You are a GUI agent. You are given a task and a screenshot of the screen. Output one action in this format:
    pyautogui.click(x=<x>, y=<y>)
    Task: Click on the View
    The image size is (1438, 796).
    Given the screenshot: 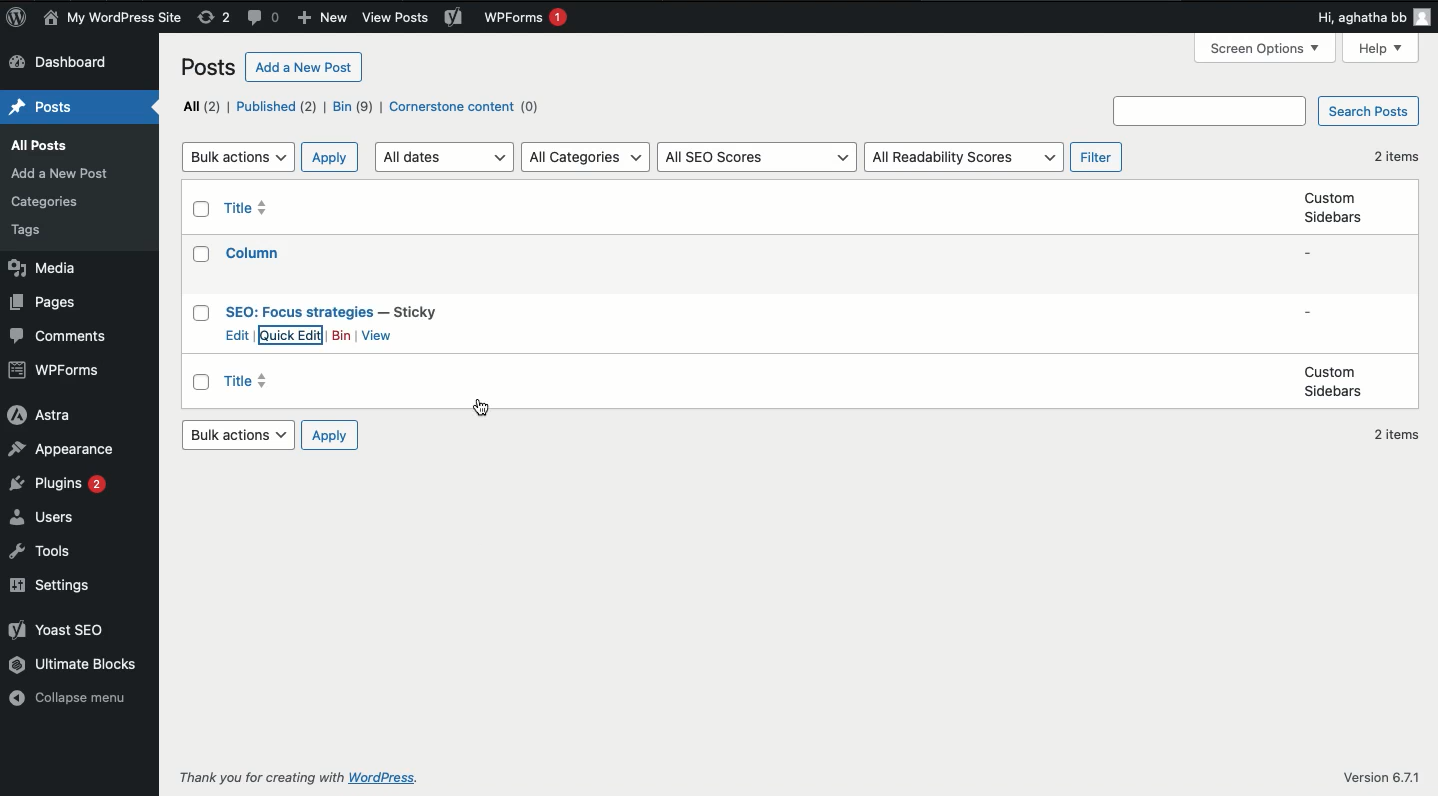 What is the action you would take?
    pyautogui.click(x=377, y=336)
    